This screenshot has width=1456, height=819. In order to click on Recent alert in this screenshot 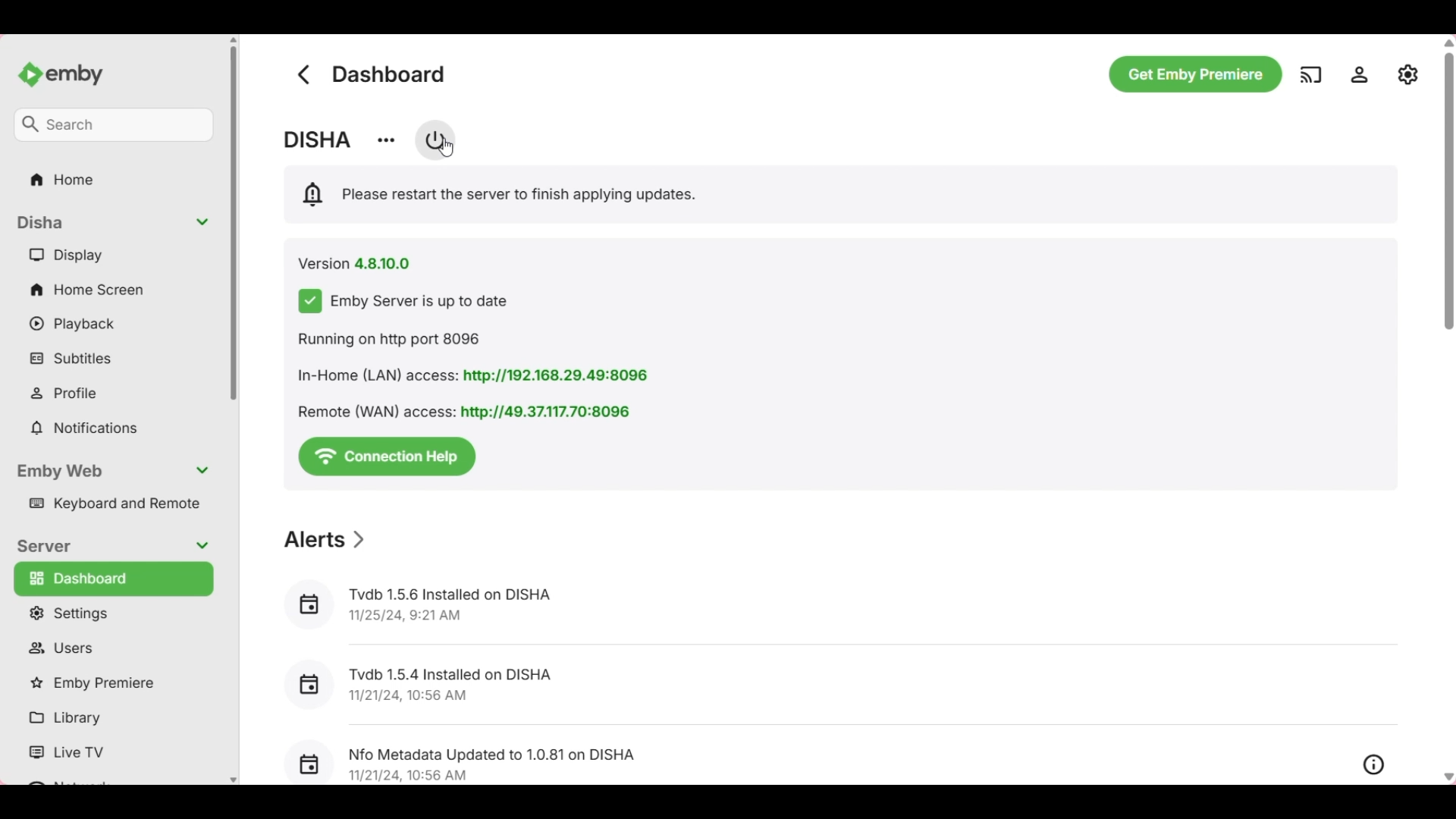, I will do `click(814, 757)`.